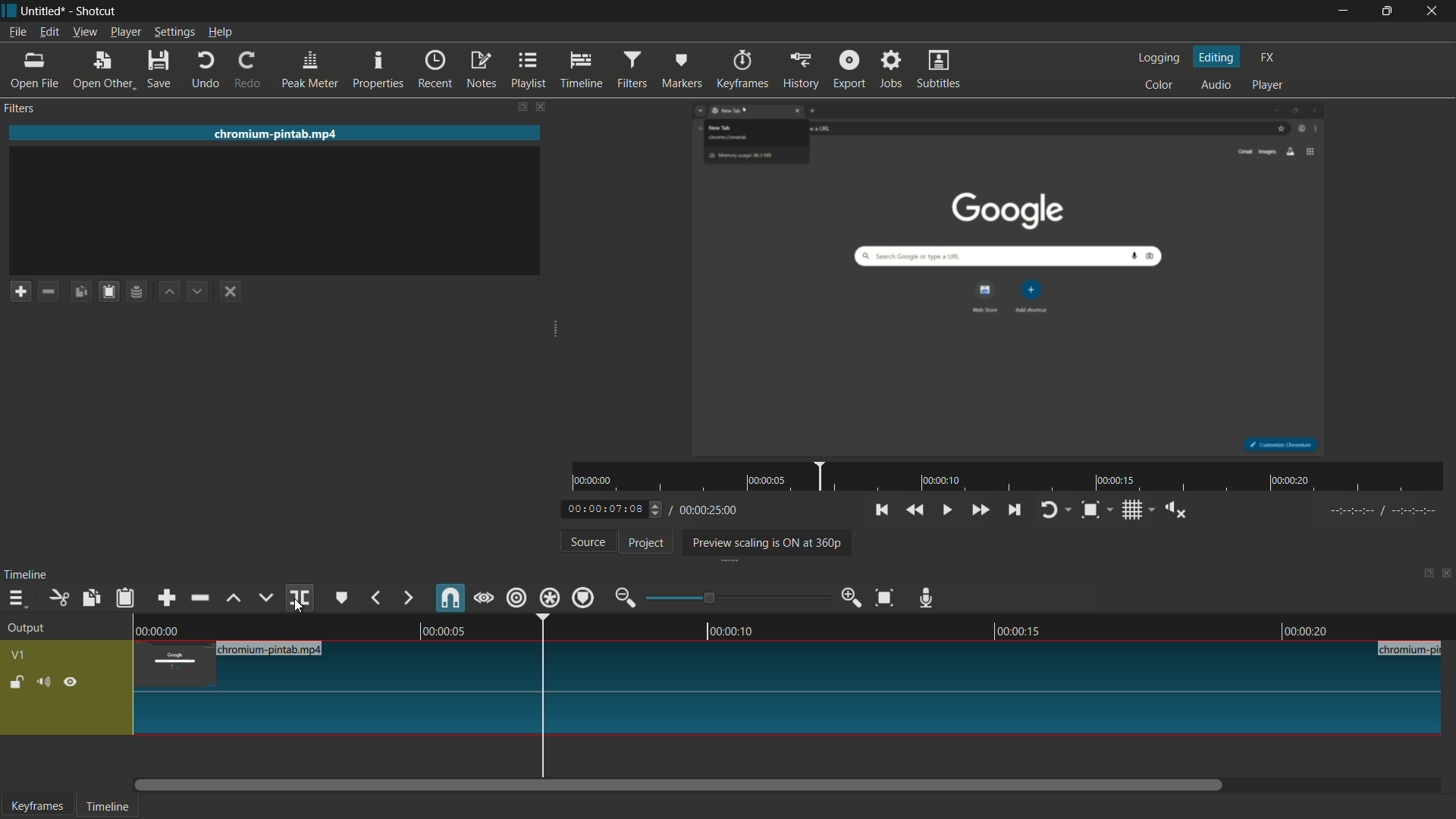 The height and width of the screenshot is (819, 1456). Describe the element at coordinates (1268, 83) in the screenshot. I see `player` at that location.